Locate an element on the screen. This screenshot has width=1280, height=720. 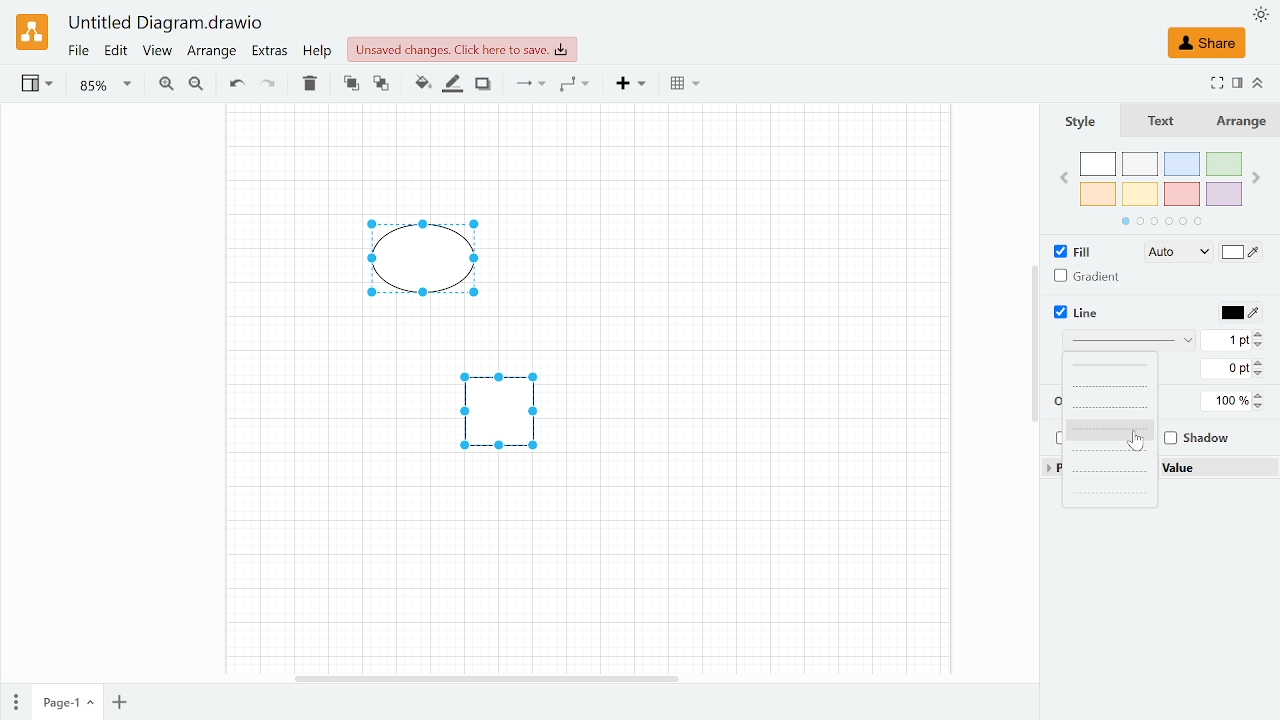
Fill style is located at coordinates (1170, 253).